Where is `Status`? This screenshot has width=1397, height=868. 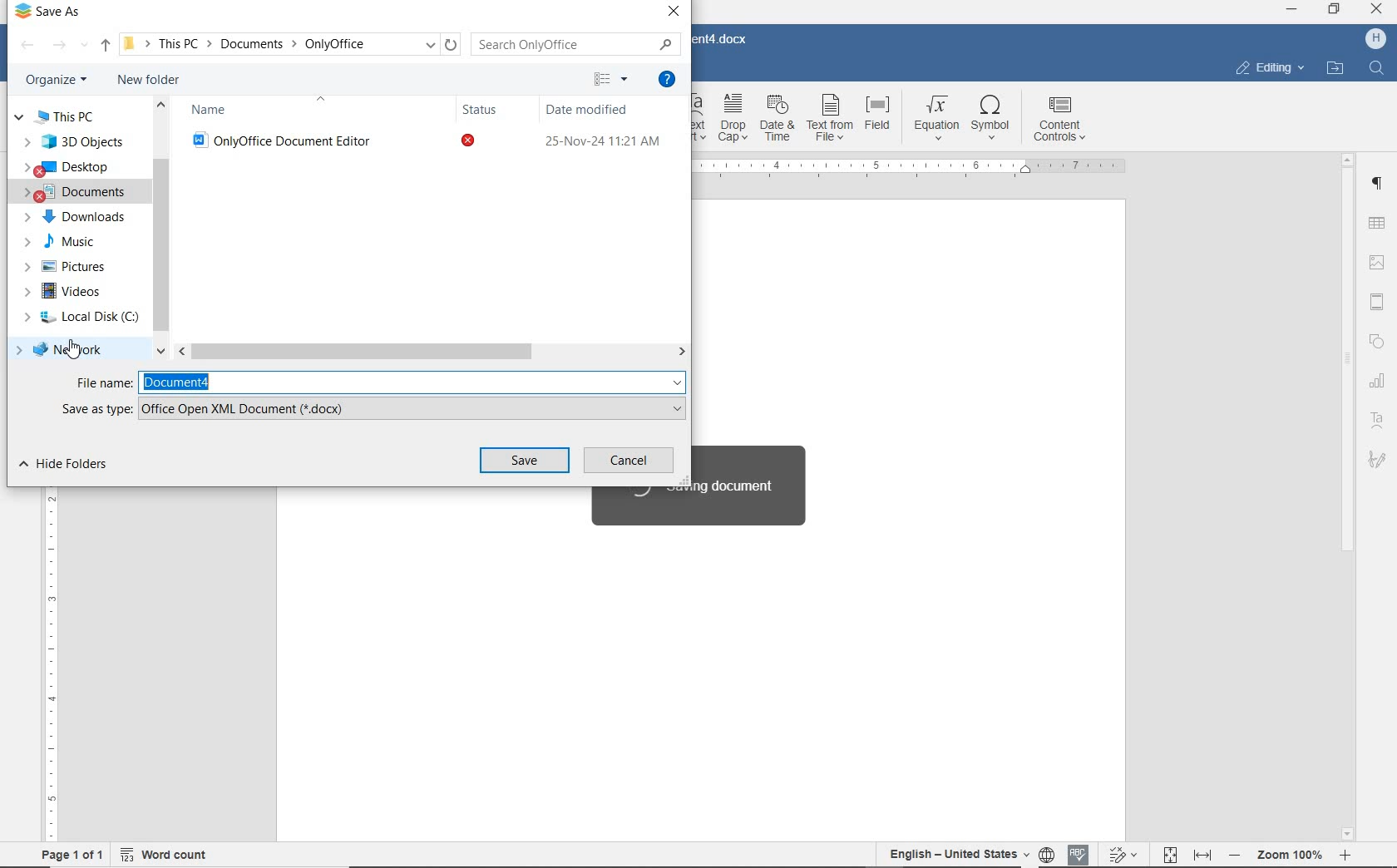
Status is located at coordinates (478, 108).